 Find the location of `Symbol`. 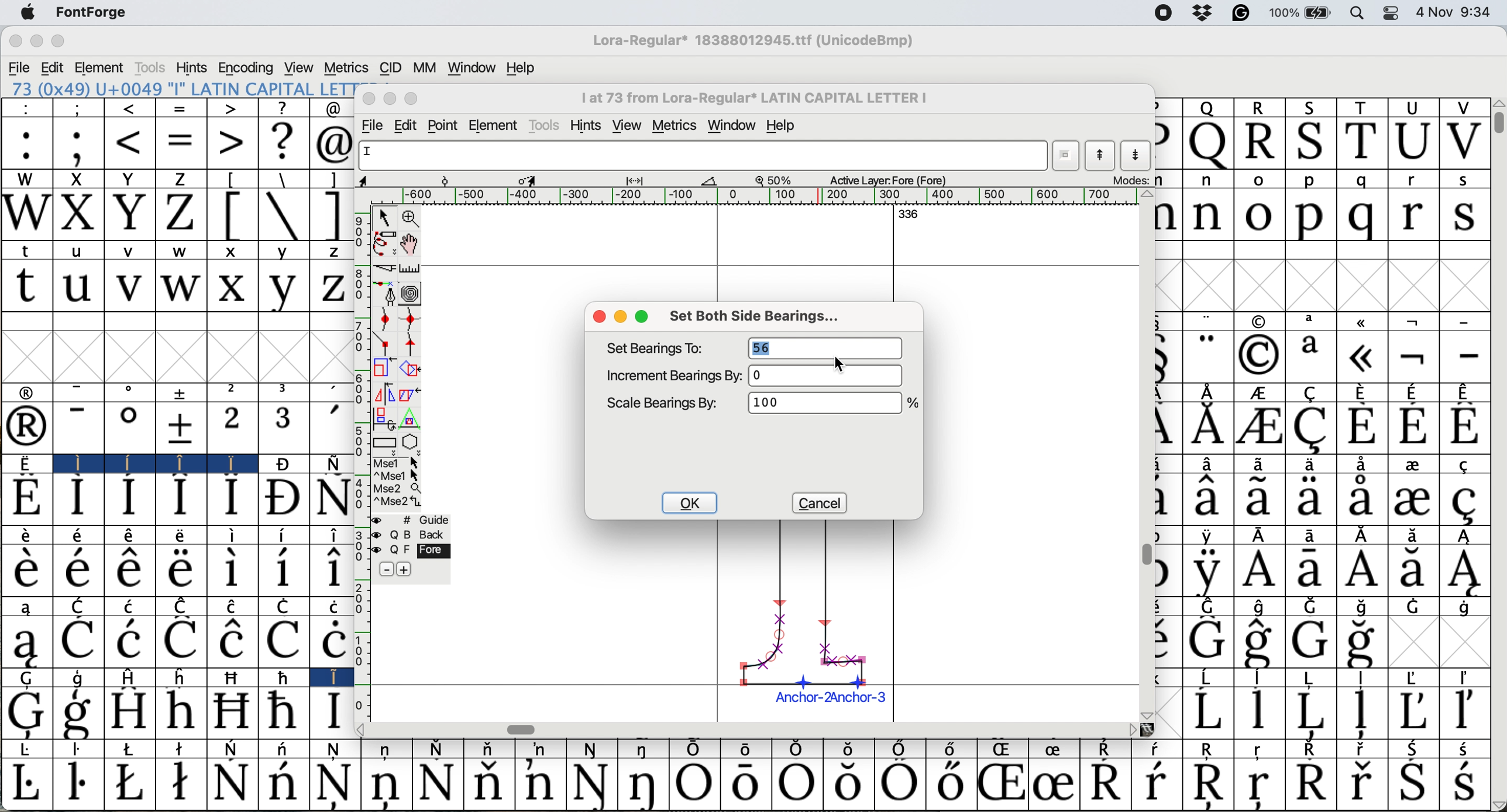

Symbol is located at coordinates (1465, 784).